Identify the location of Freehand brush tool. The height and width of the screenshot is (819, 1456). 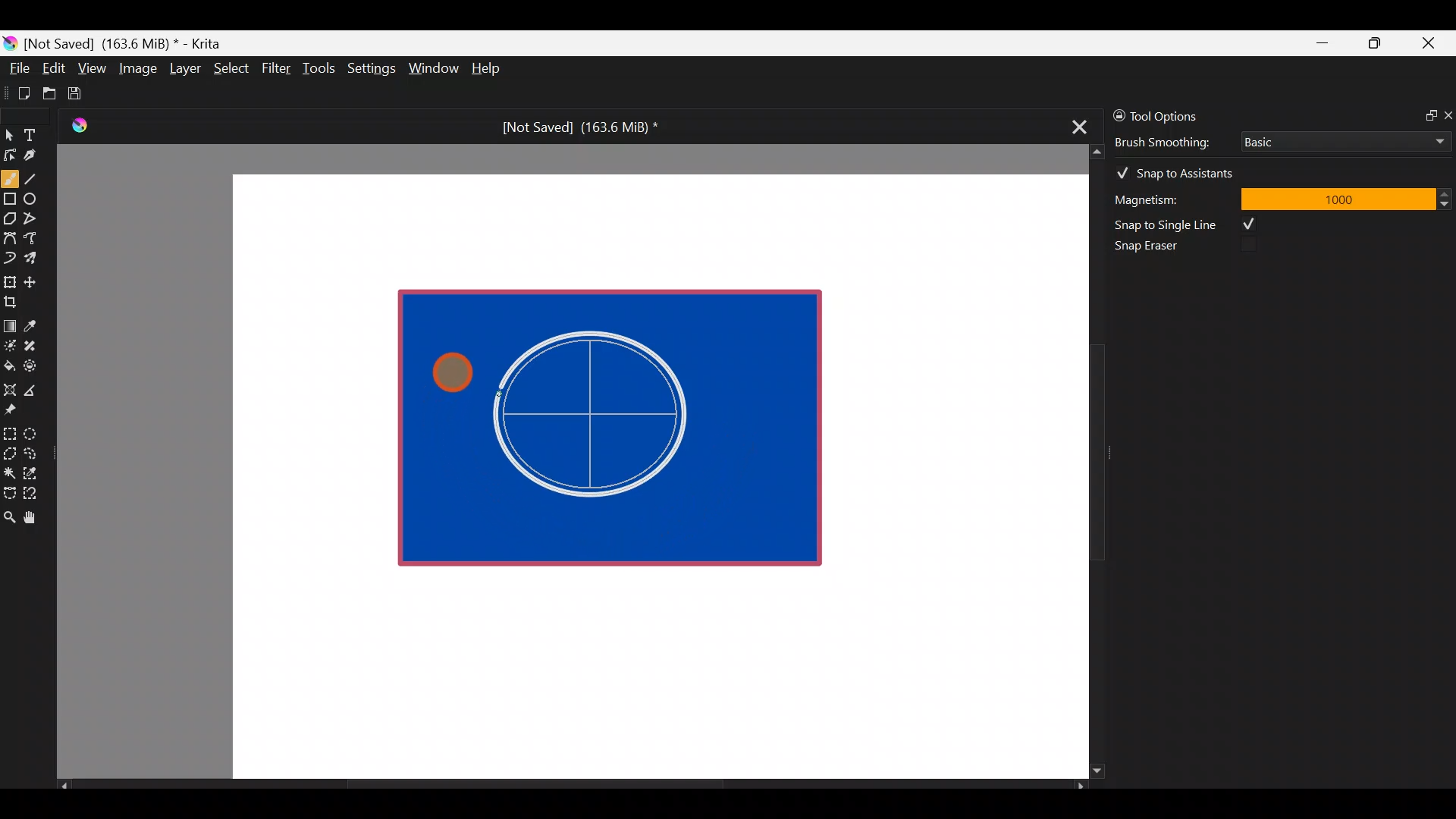
(10, 173).